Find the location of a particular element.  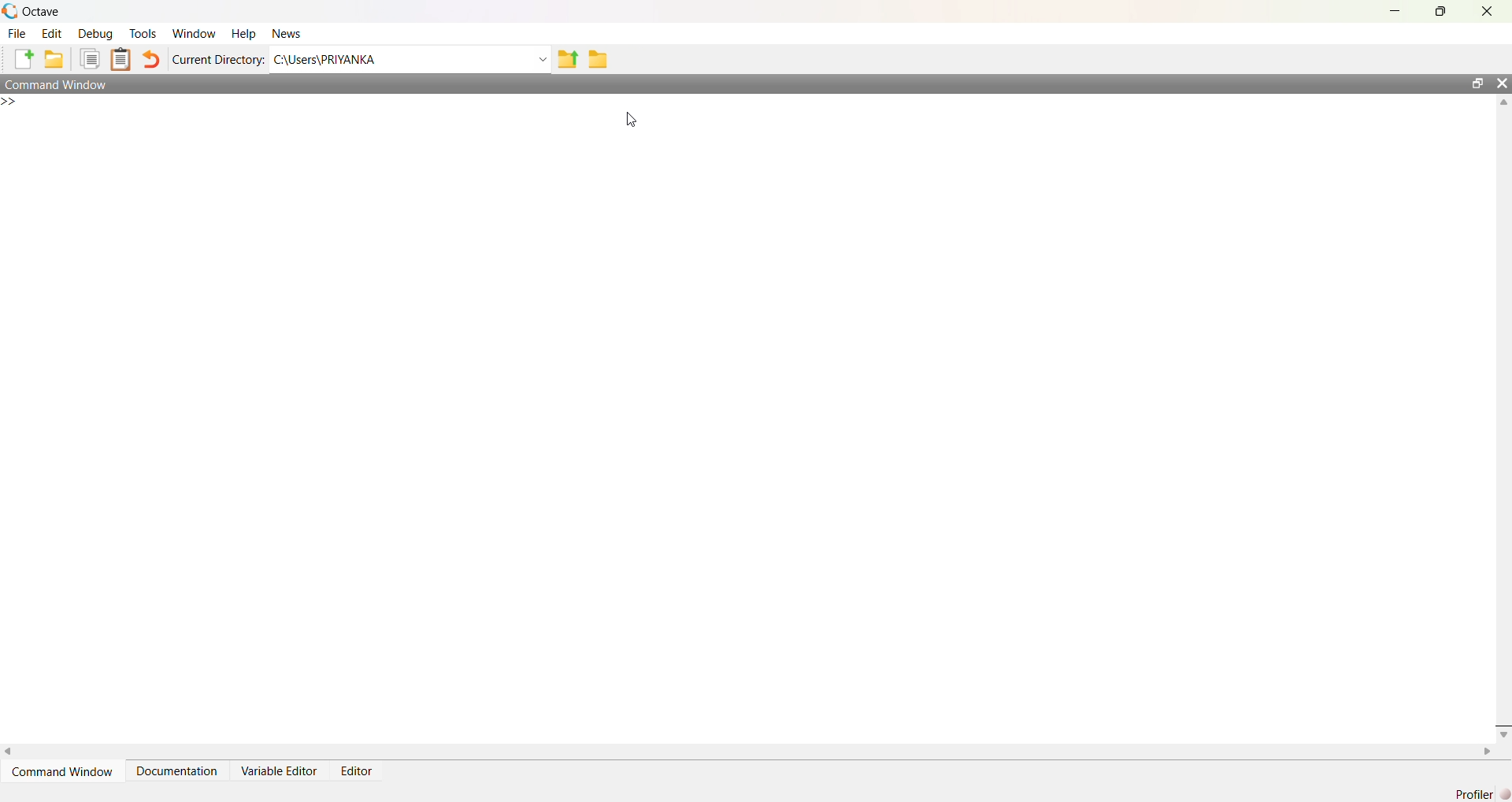

Profile is located at coordinates (1480, 794).